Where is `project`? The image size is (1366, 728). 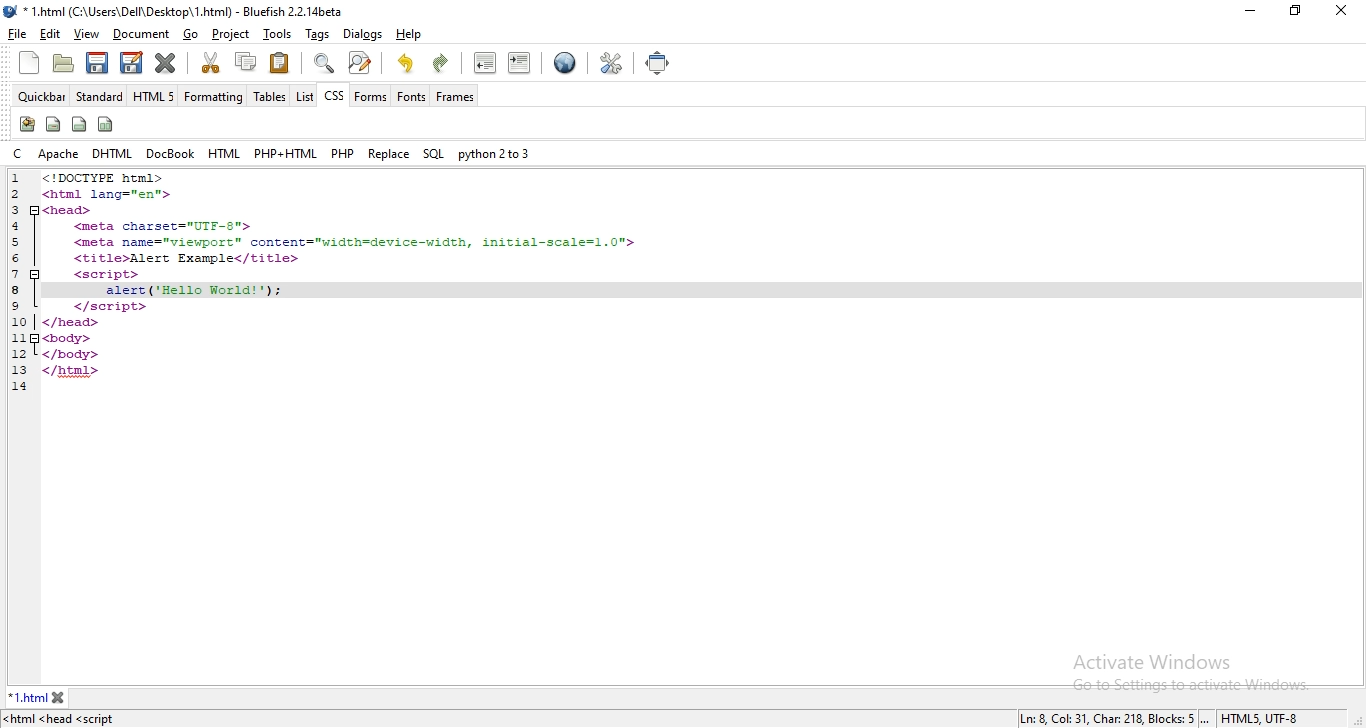
project is located at coordinates (230, 34).